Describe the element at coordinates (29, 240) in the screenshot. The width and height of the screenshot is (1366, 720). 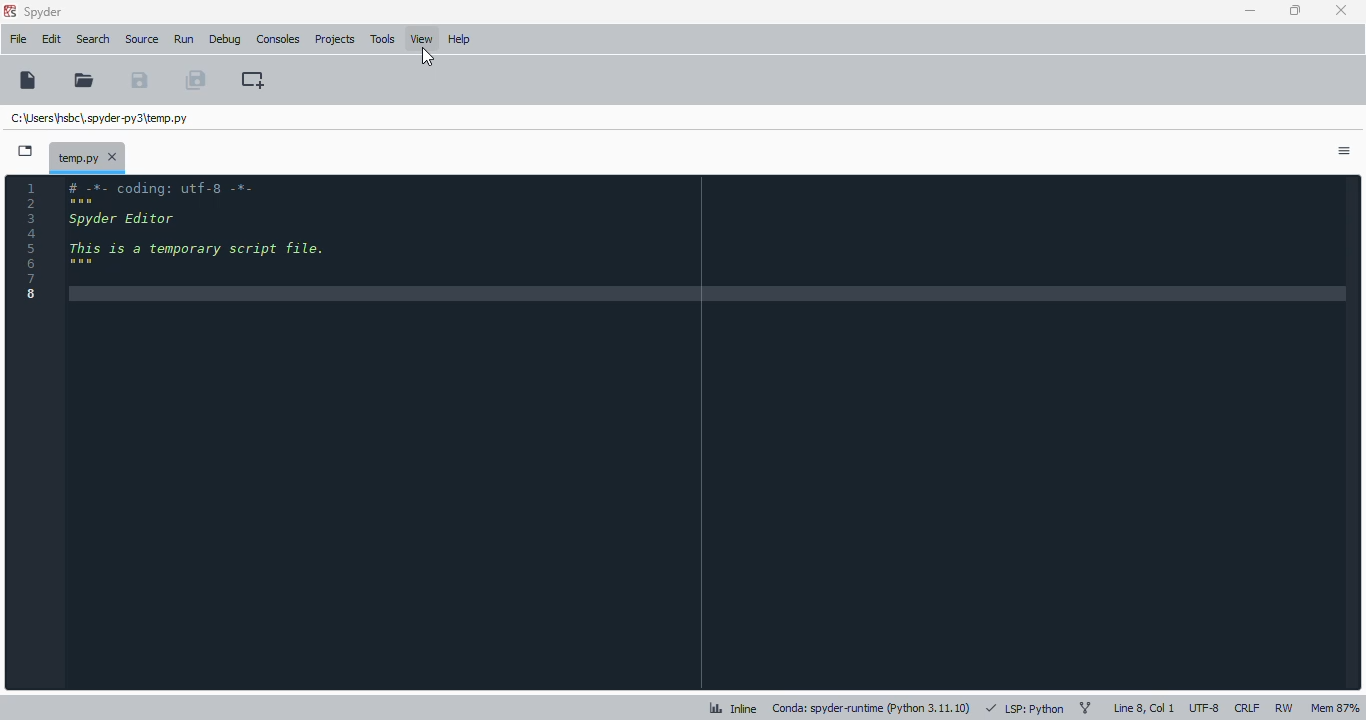
I see `line numbers` at that location.